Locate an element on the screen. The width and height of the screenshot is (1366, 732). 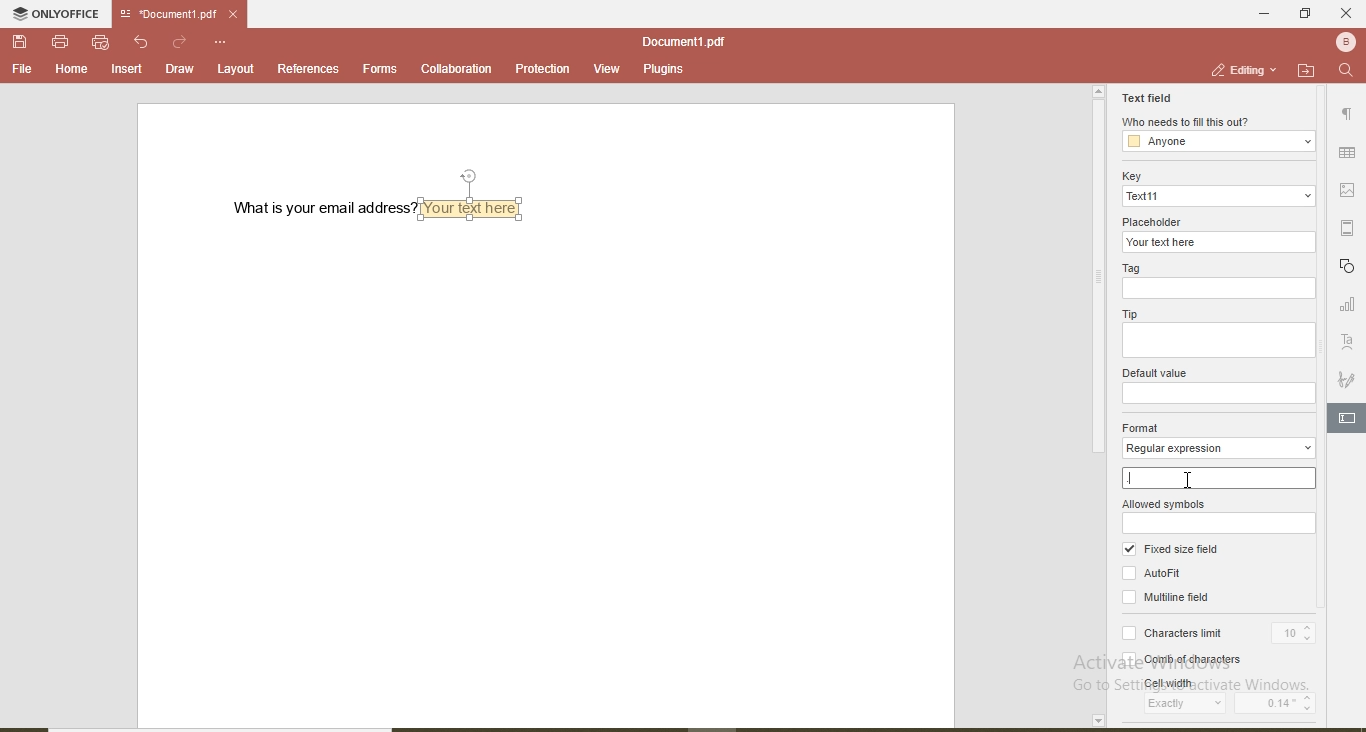
characters limit is located at coordinates (1171, 628).